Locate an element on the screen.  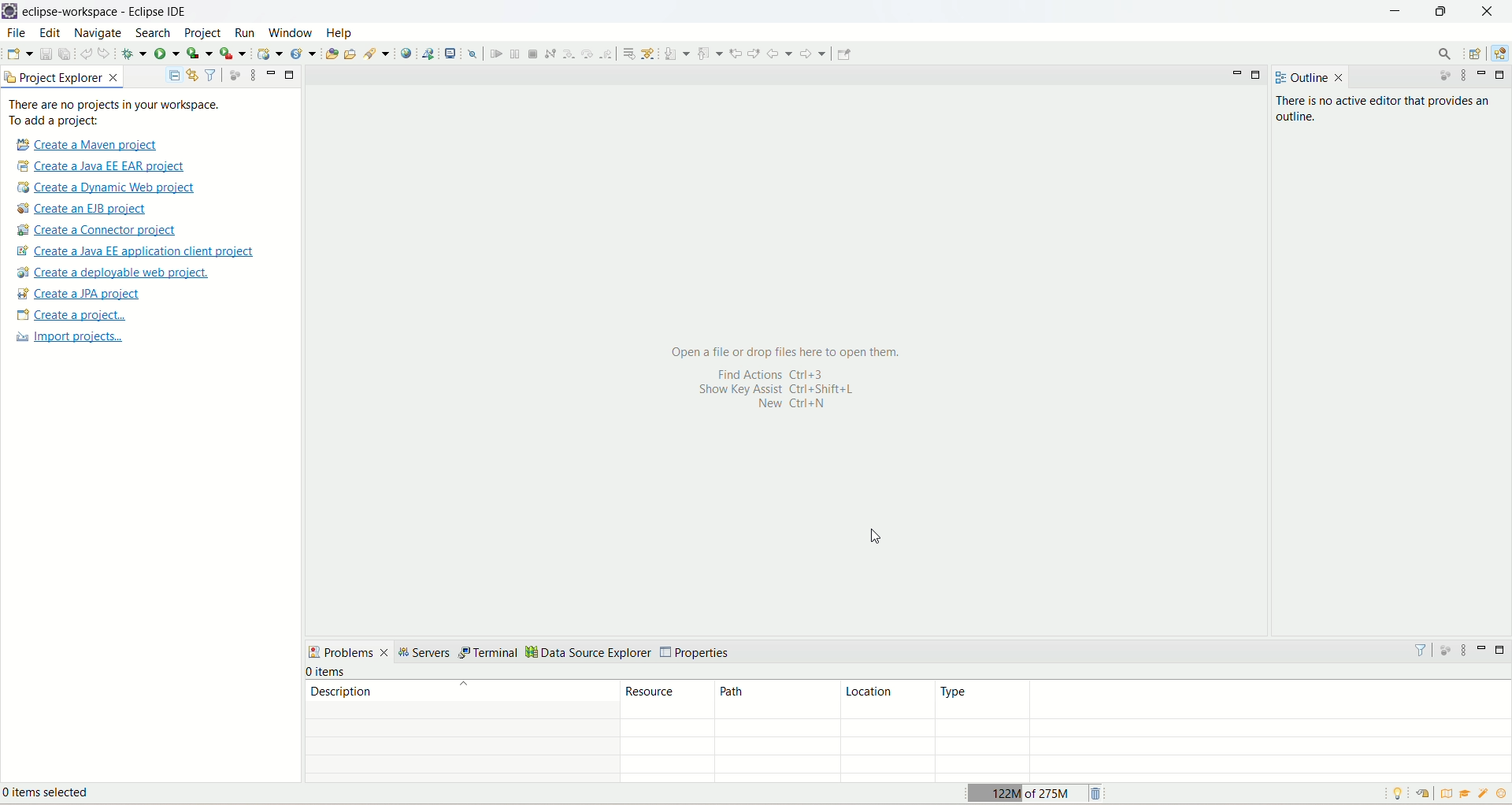
select and deselect filters is located at coordinates (212, 74).